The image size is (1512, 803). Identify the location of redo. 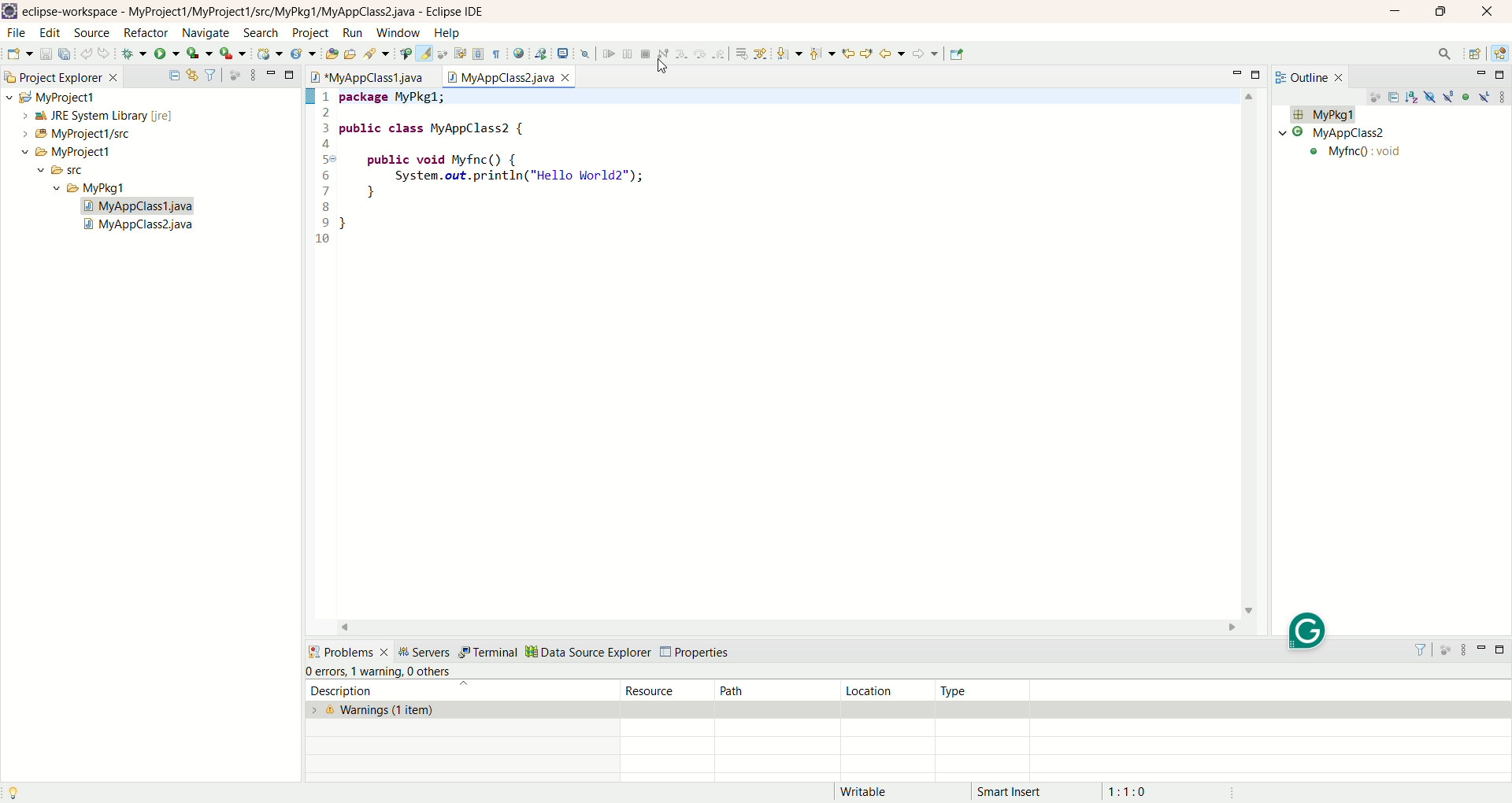
(105, 54).